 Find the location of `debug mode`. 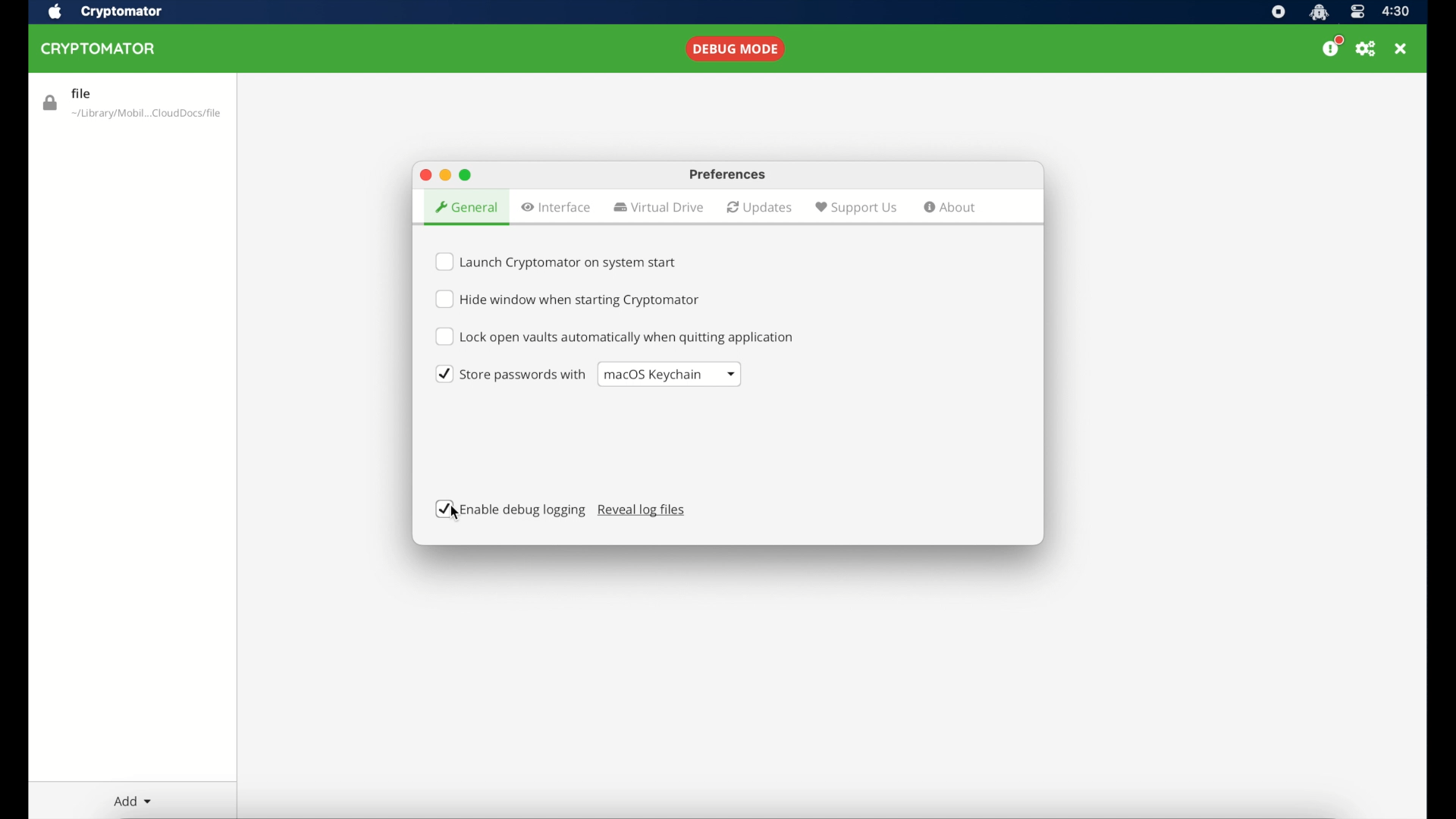

debug mode is located at coordinates (737, 49).